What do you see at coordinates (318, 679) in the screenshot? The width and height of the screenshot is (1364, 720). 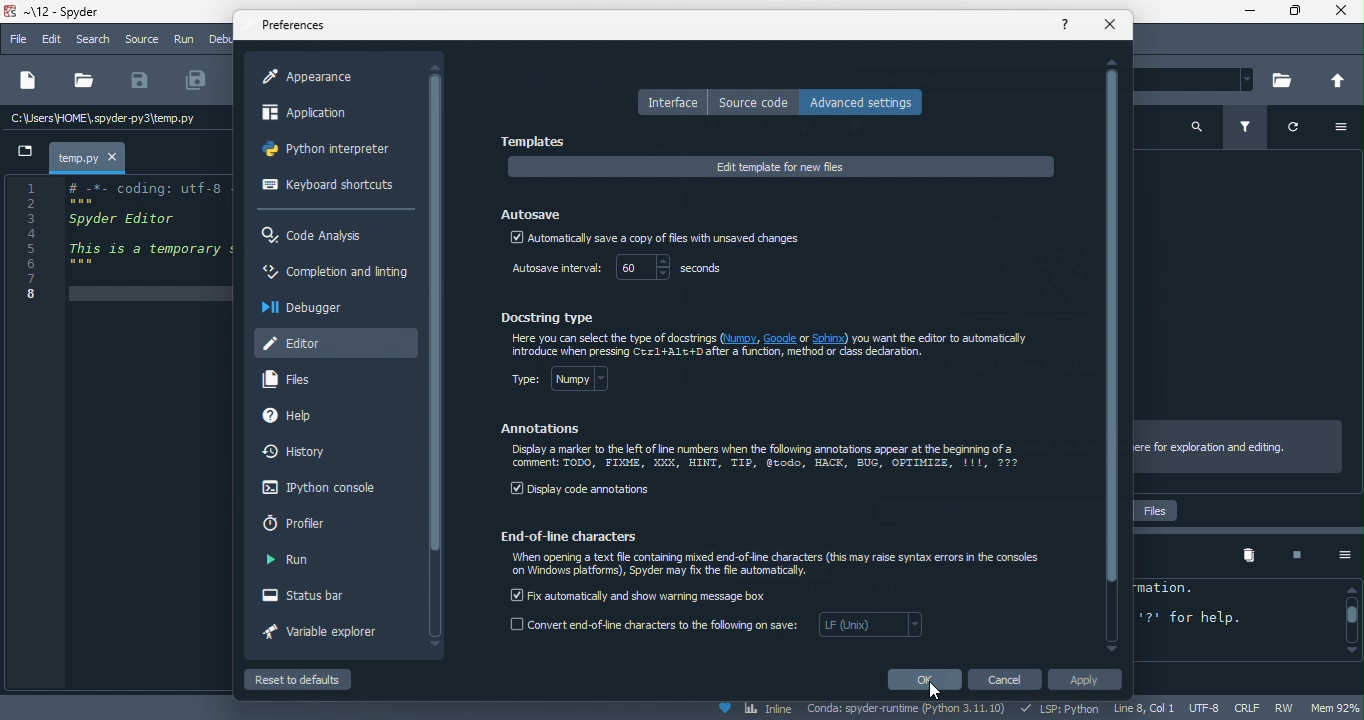 I see `reset to defaults` at bounding box center [318, 679].